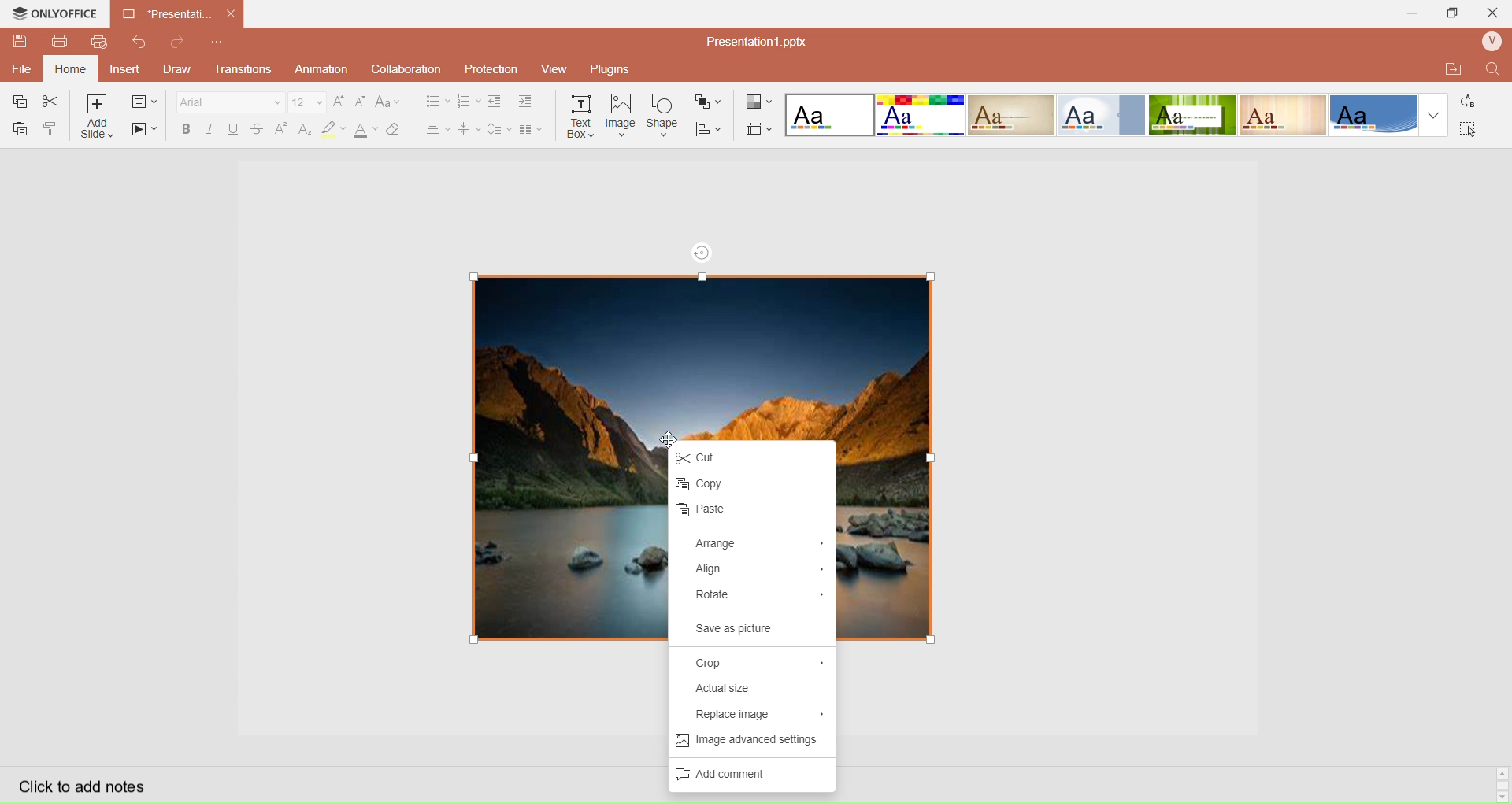 The height and width of the screenshot is (803, 1512). Describe the element at coordinates (439, 128) in the screenshot. I see `Horizontal Align` at that location.